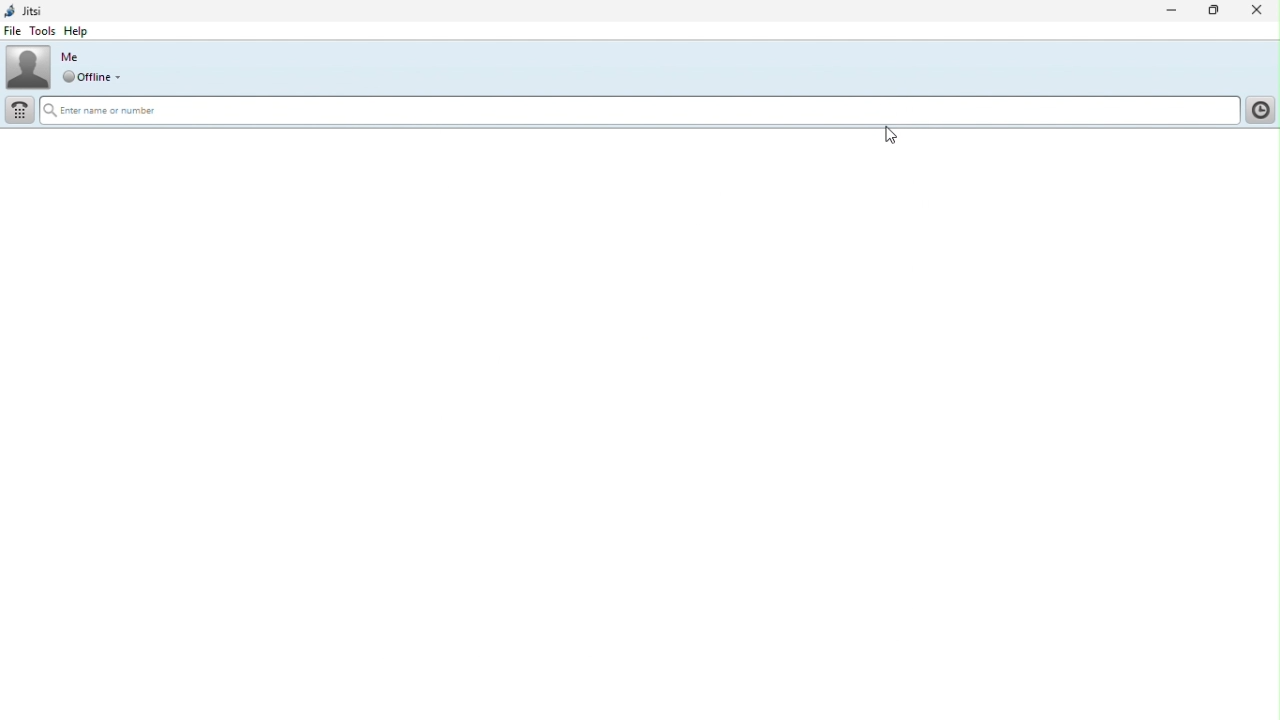 Image resolution: width=1280 pixels, height=720 pixels. I want to click on Restore, so click(1215, 12).